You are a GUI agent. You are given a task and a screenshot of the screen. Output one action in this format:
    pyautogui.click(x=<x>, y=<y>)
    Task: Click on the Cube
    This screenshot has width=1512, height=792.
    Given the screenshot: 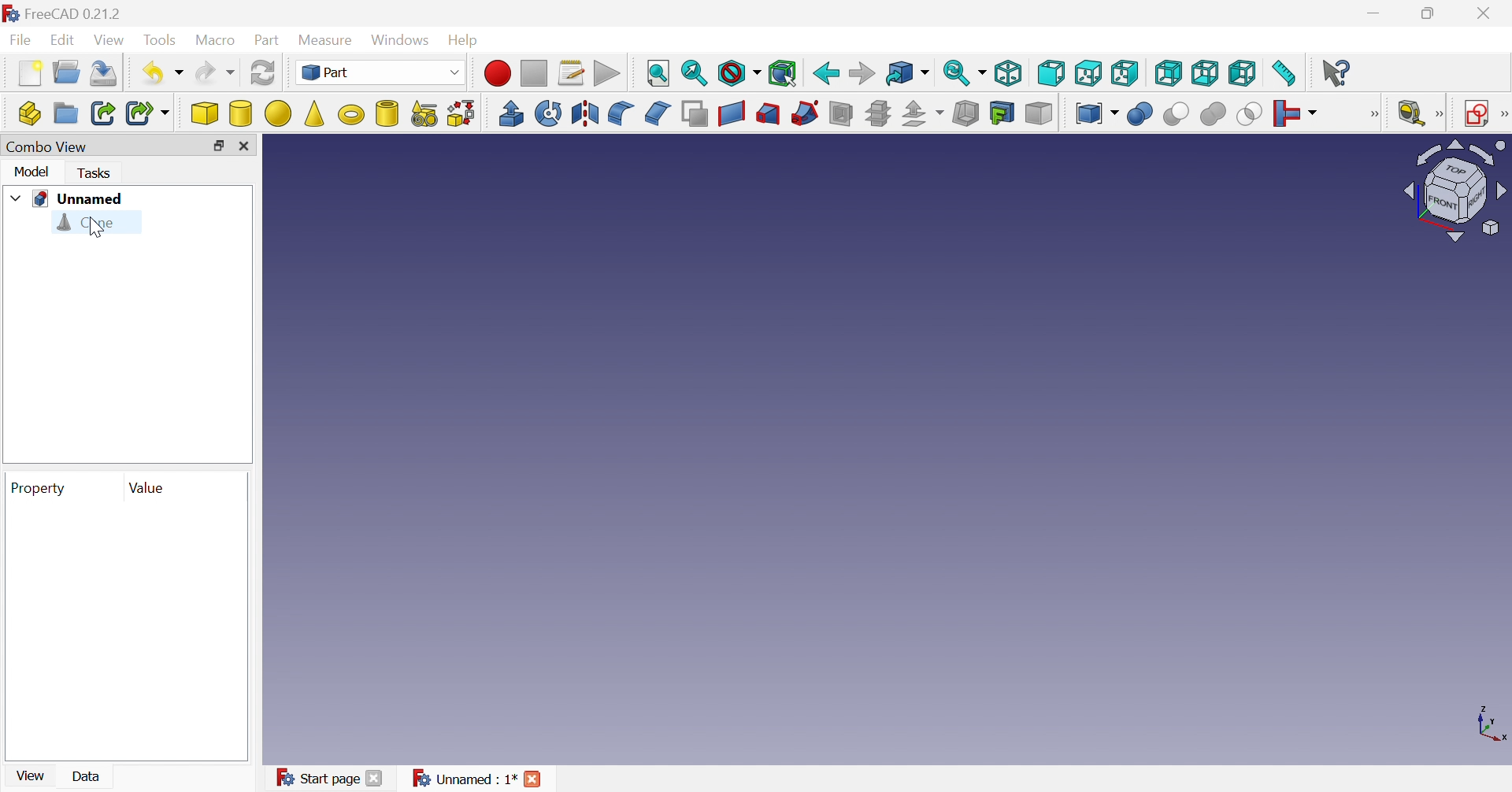 What is the action you would take?
    pyautogui.click(x=206, y=114)
    